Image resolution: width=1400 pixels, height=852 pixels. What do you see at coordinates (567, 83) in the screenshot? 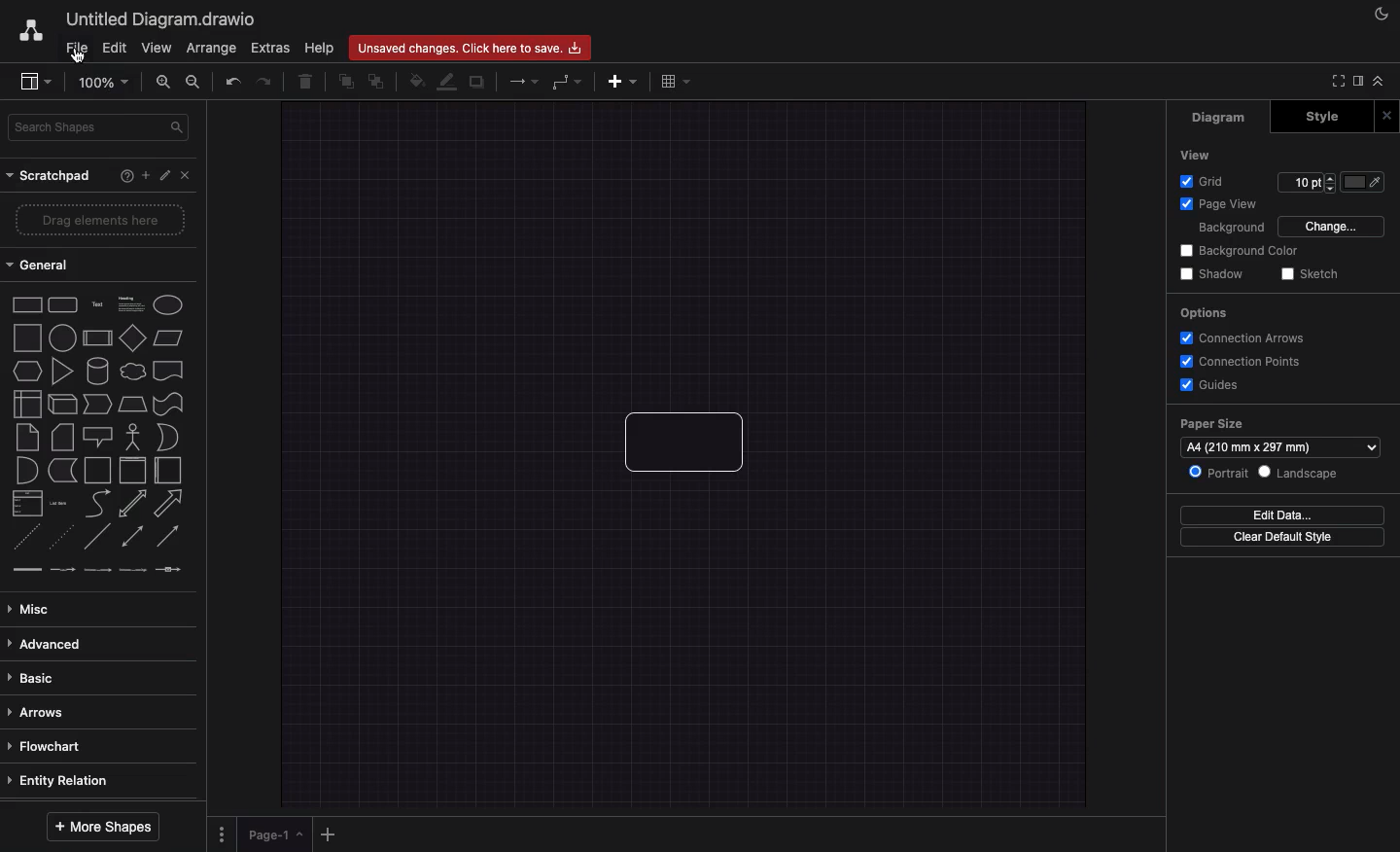
I see `Waypoints` at bounding box center [567, 83].